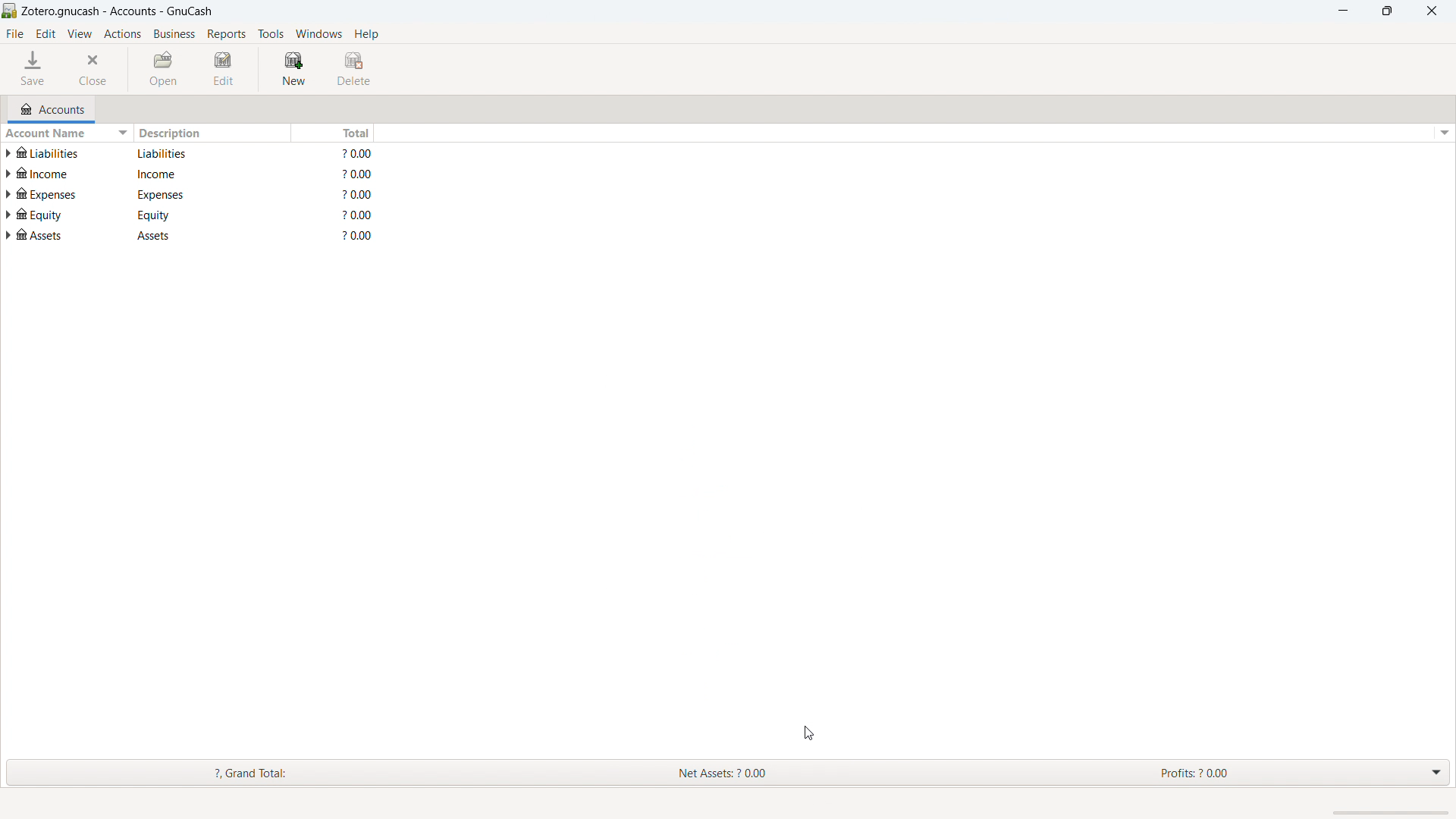  What do you see at coordinates (225, 68) in the screenshot?
I see `edit` at bounding box center [225, 68].